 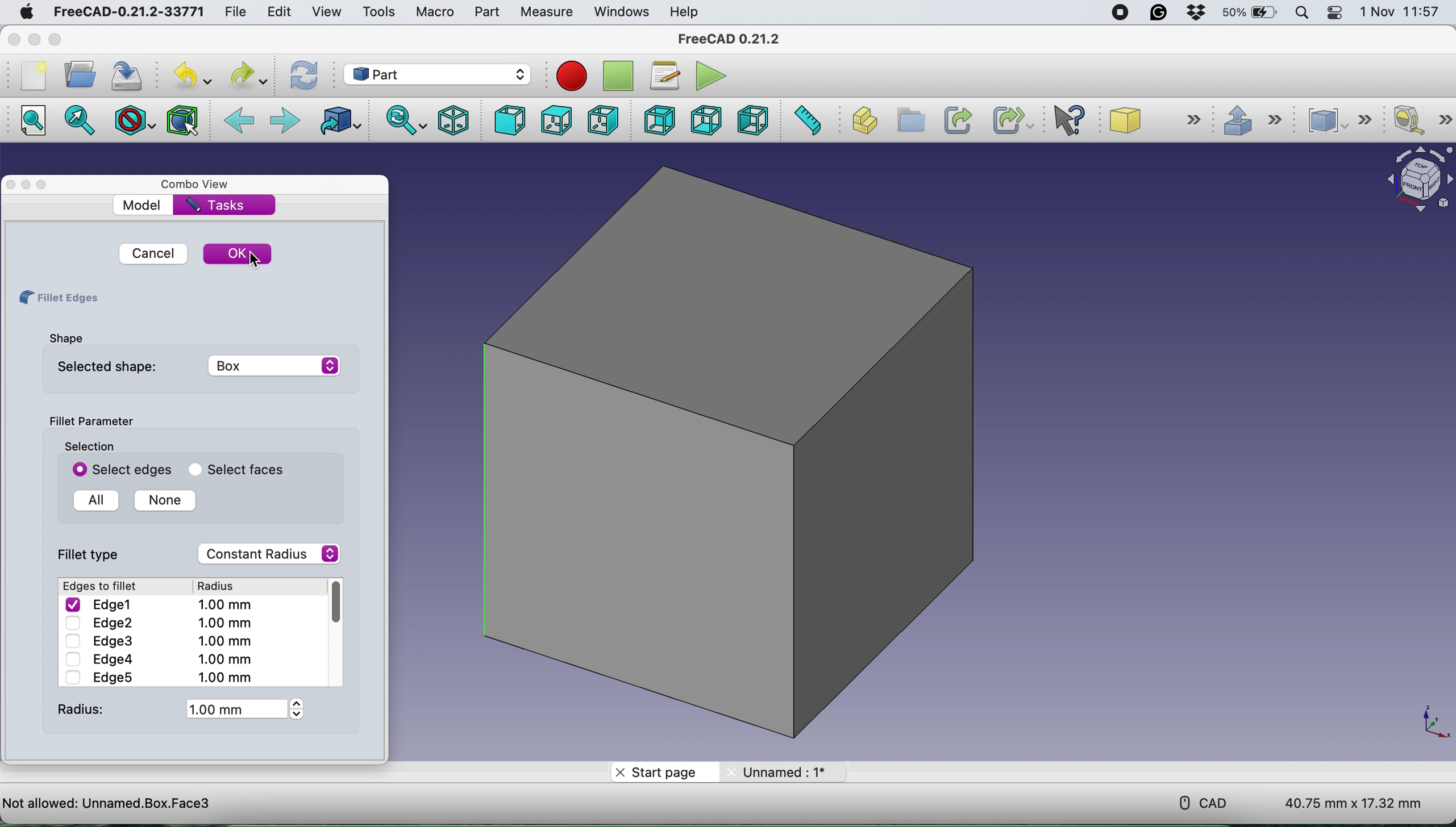 I want to click on Edges to fillet, so click(x=102, y=586).